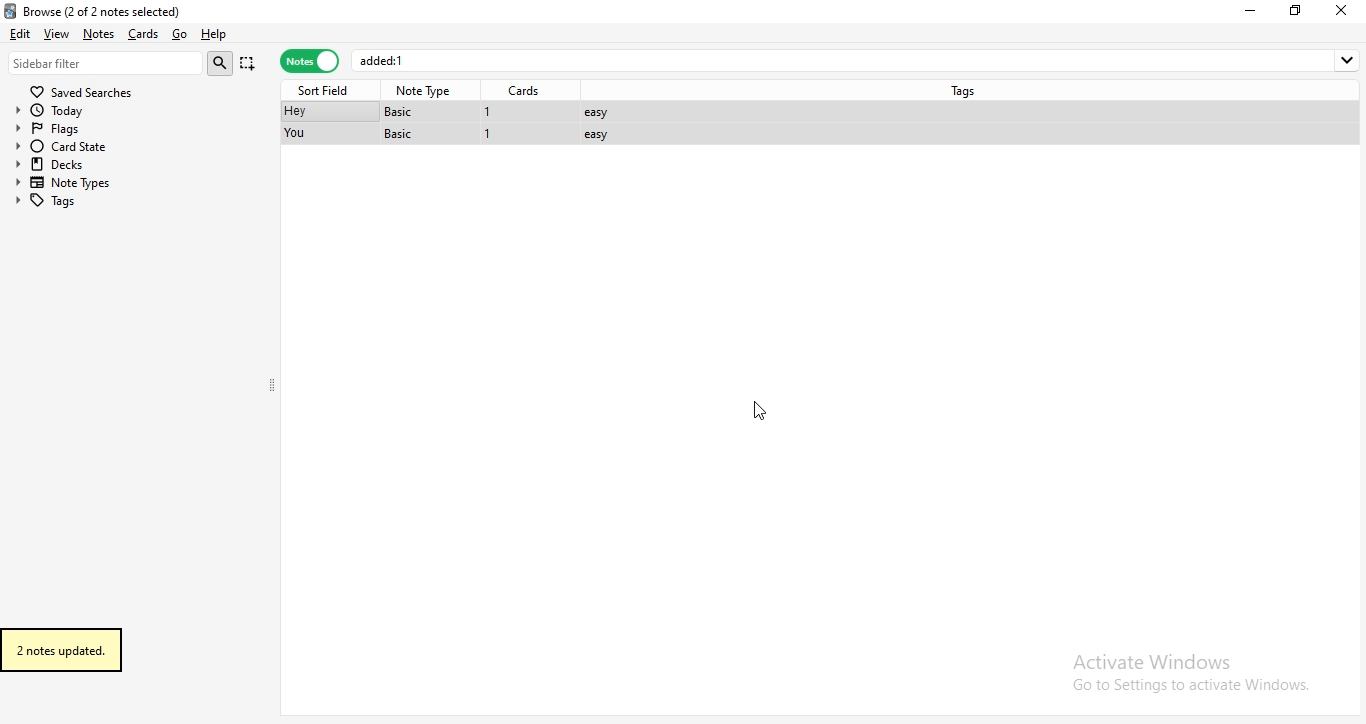 This screenshot has width=1366, height=724. What do you see at coordinates (223, 63) in the screenshot?
I see `search` at bounding box center [223, 63].